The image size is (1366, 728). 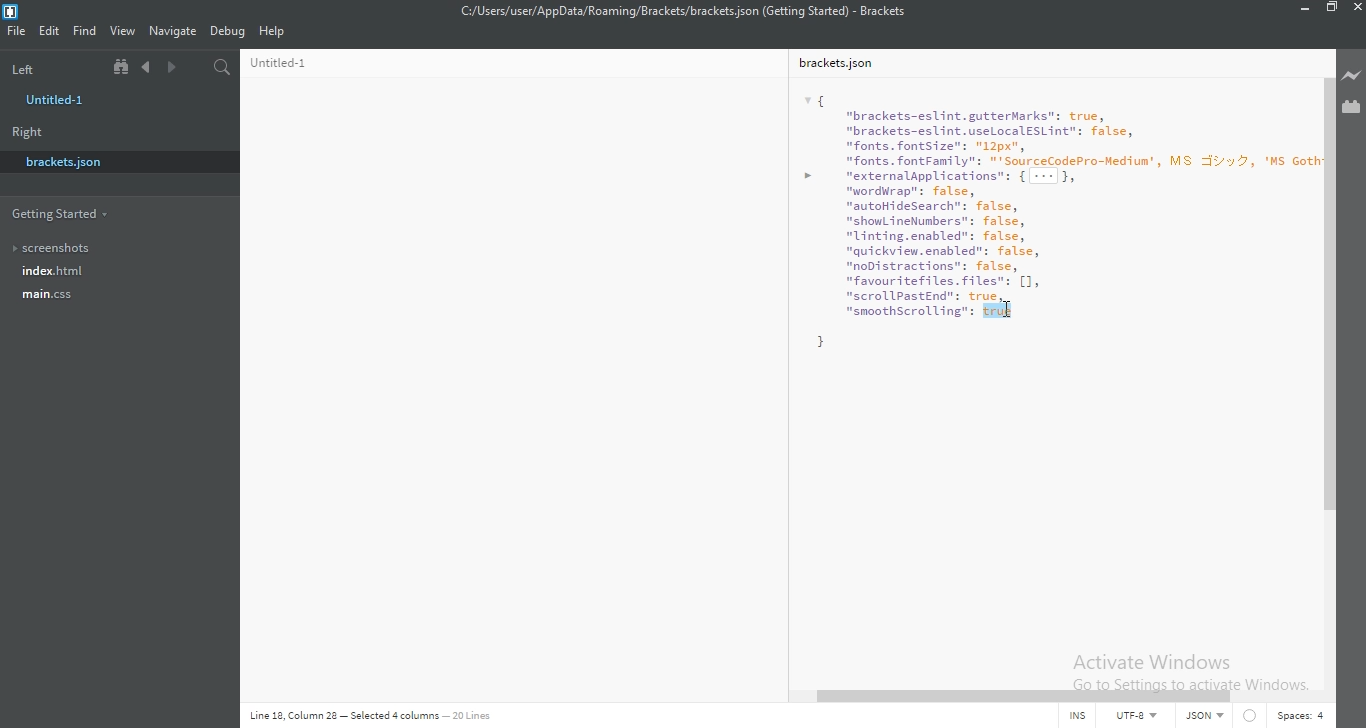 I want to click on Getting started, so click(x=84, y=213).